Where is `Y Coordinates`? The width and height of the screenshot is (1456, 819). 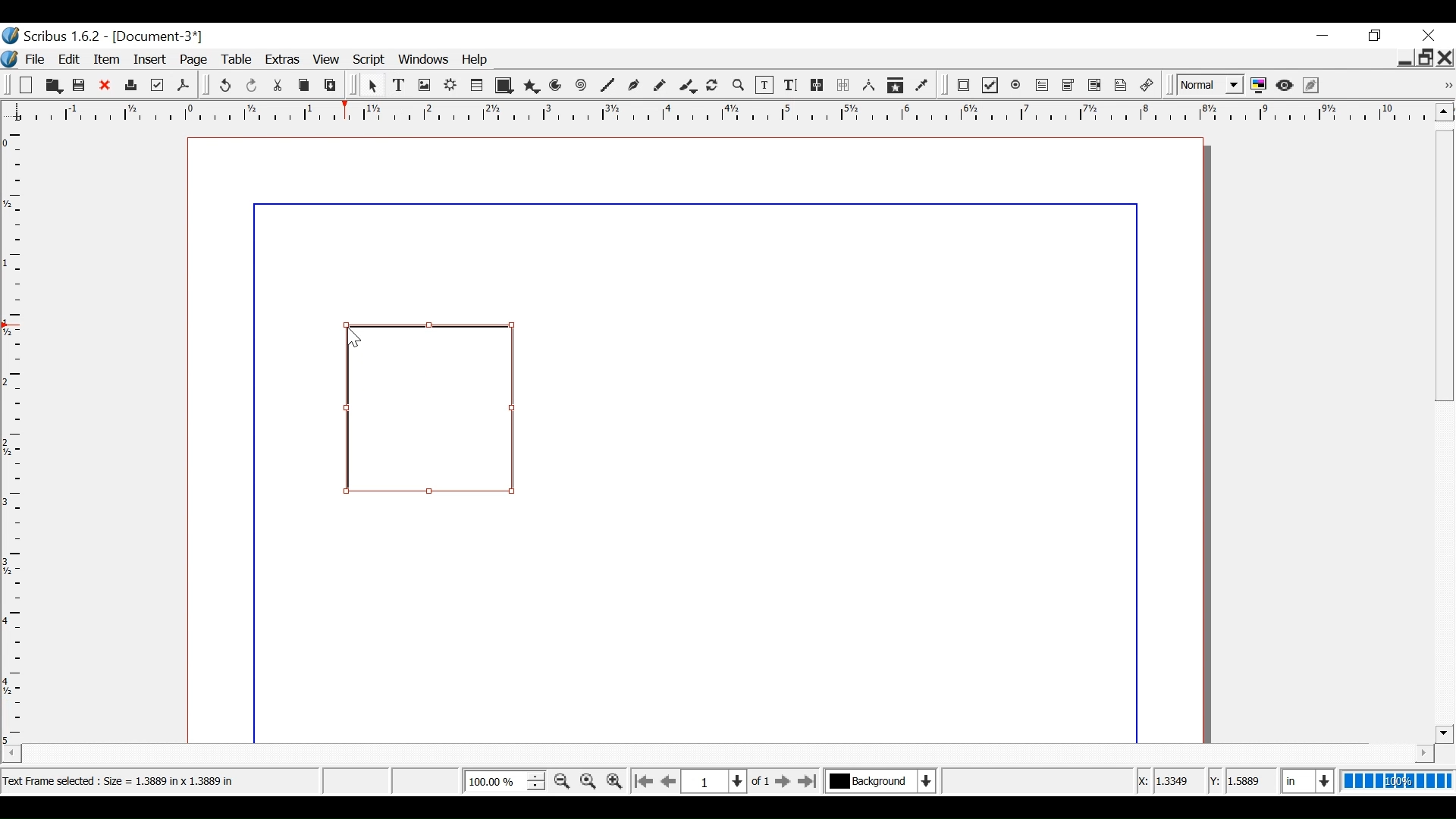 Y Coordinates is located at coordinates (1244, 781).